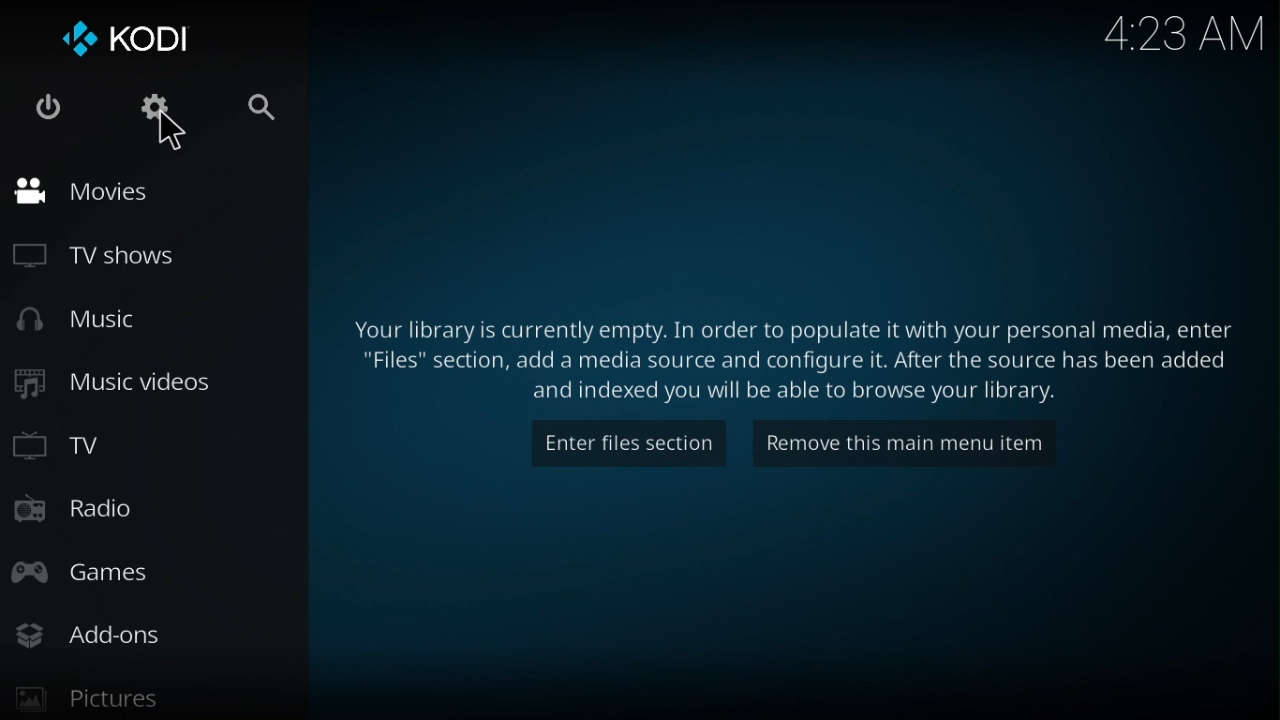  I want to click on Games, so click(87, 573).